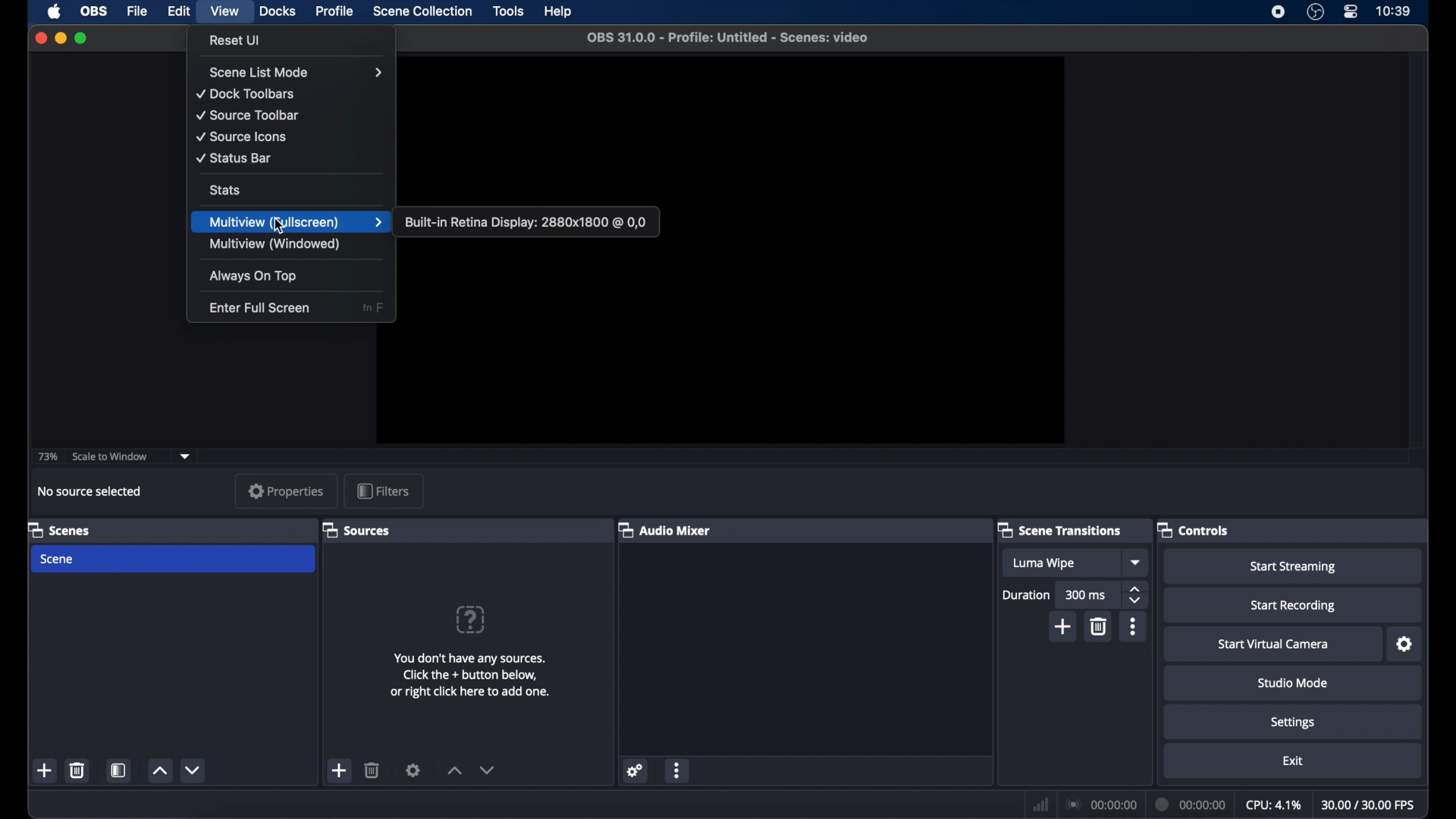 The height and width of the screenshot is (819, 1456). I want to click on 300 ms, so click(1086, 595).